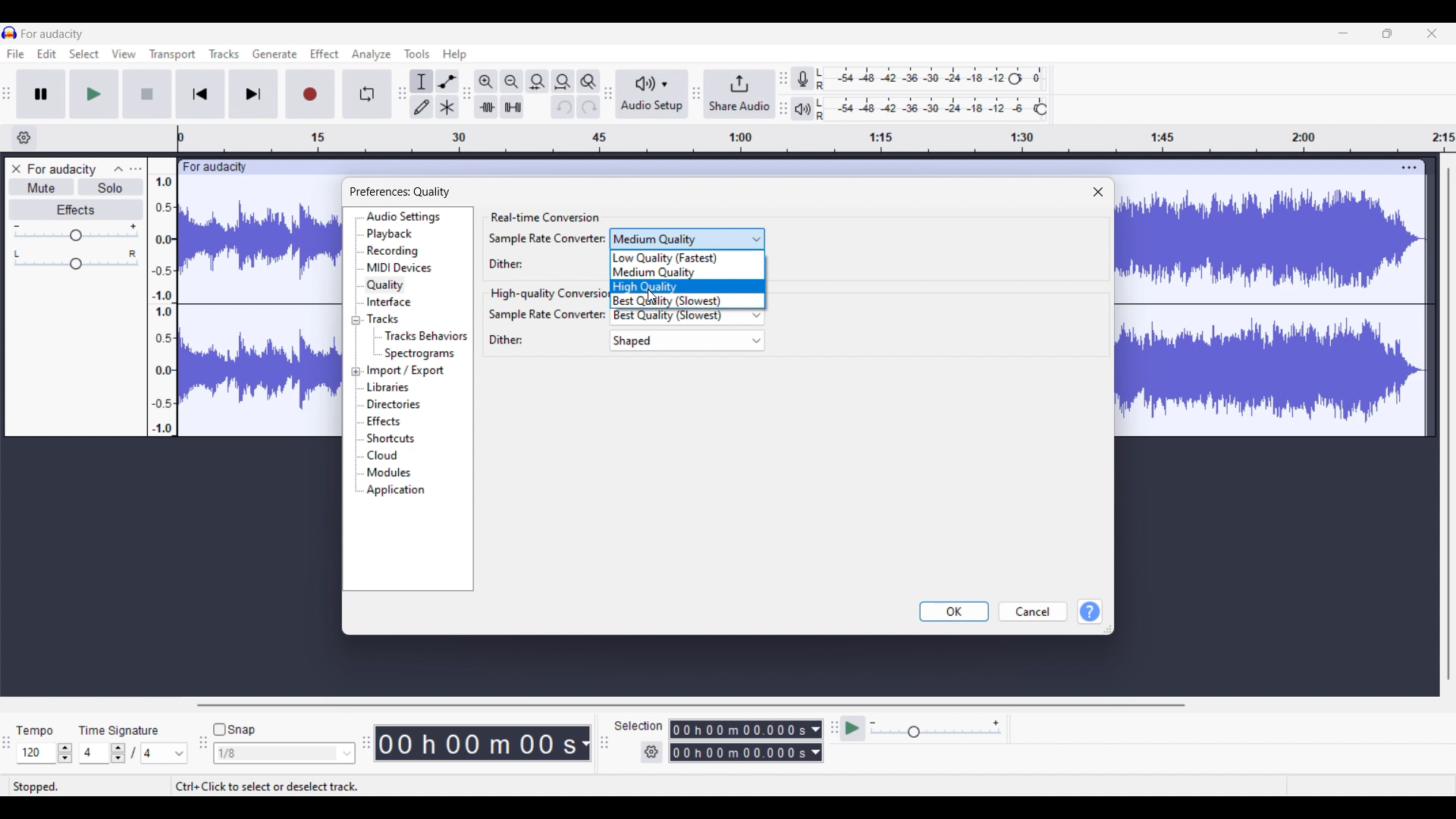  Describe the element at coordinates (124, 54) in the screenshot. I see `View menu` at that location.